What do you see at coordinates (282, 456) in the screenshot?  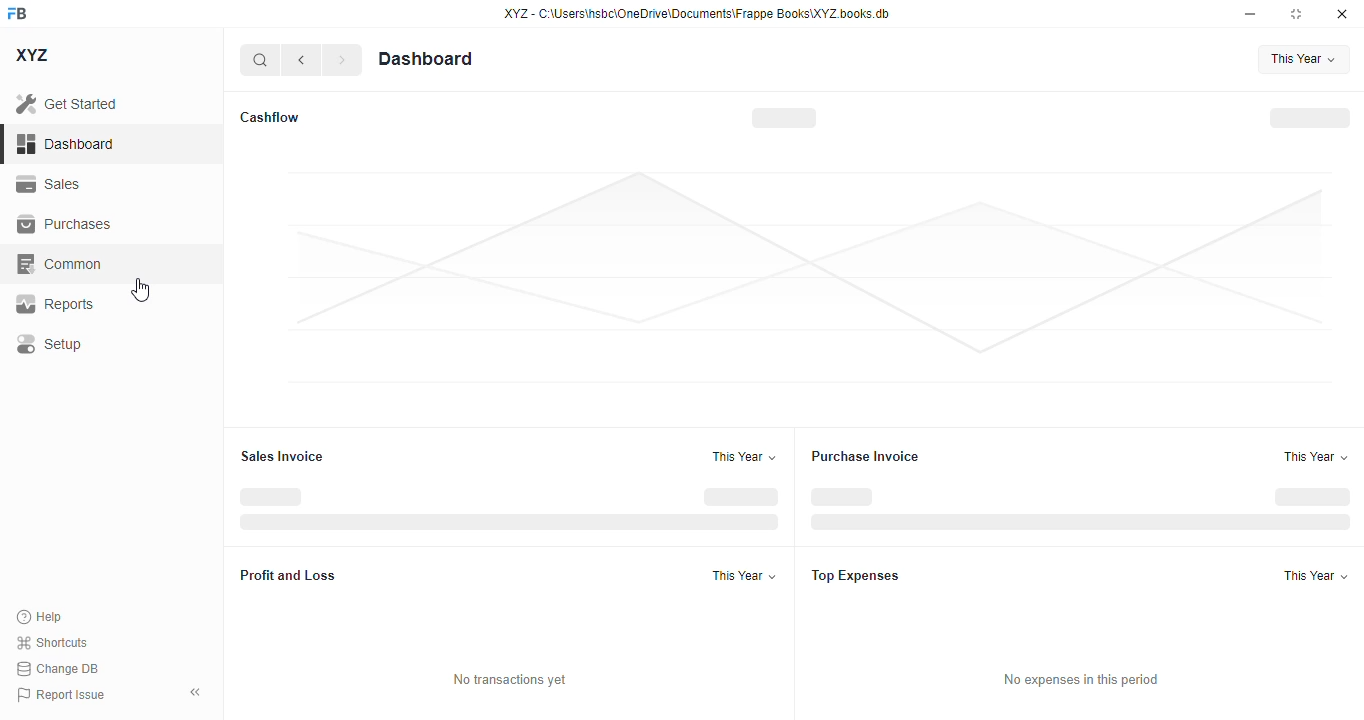 I see `sales invoice` at bounding box center [282, 456].